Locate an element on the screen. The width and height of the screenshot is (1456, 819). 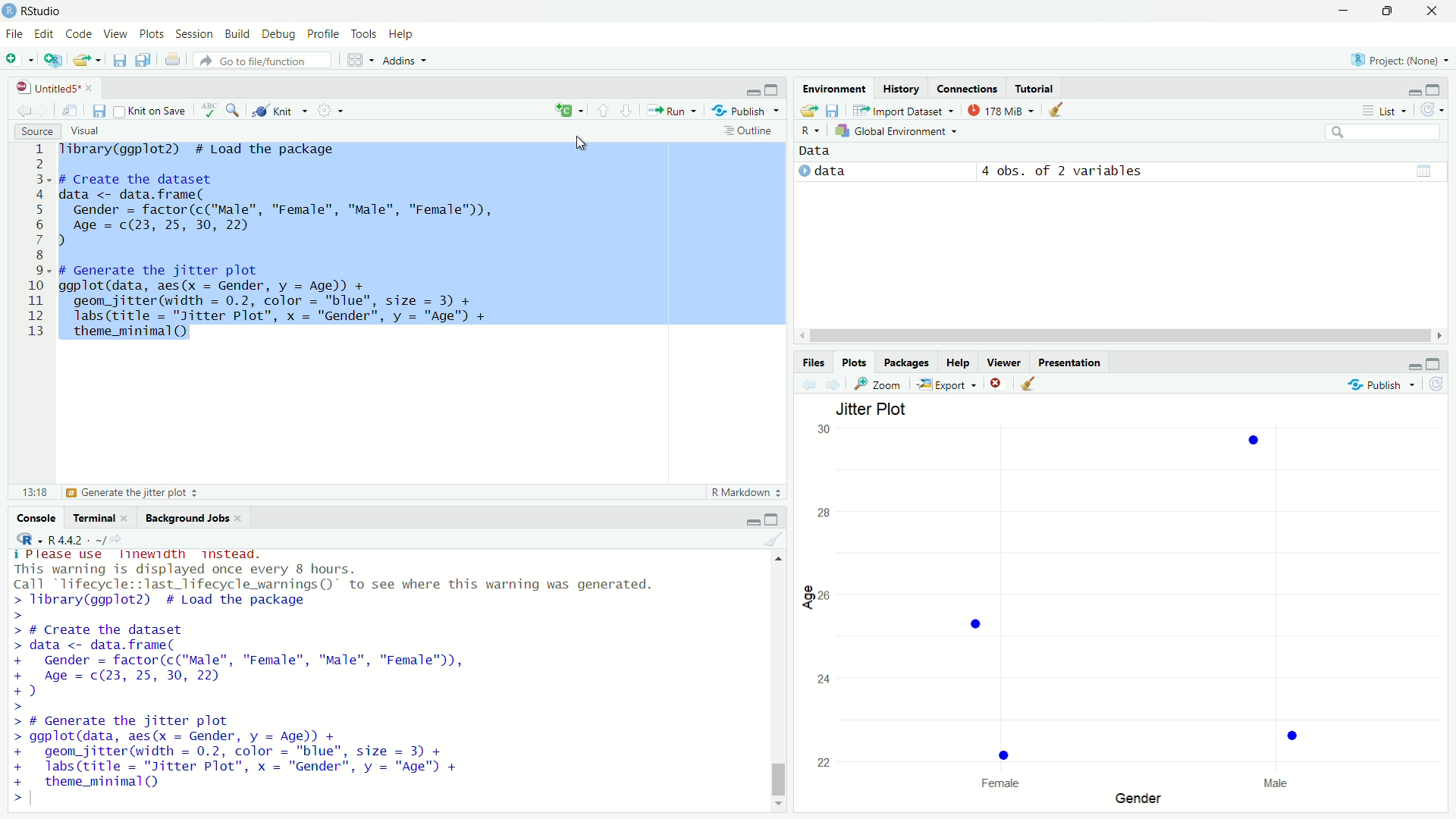
minimize is located at coordinates (1412, 88).